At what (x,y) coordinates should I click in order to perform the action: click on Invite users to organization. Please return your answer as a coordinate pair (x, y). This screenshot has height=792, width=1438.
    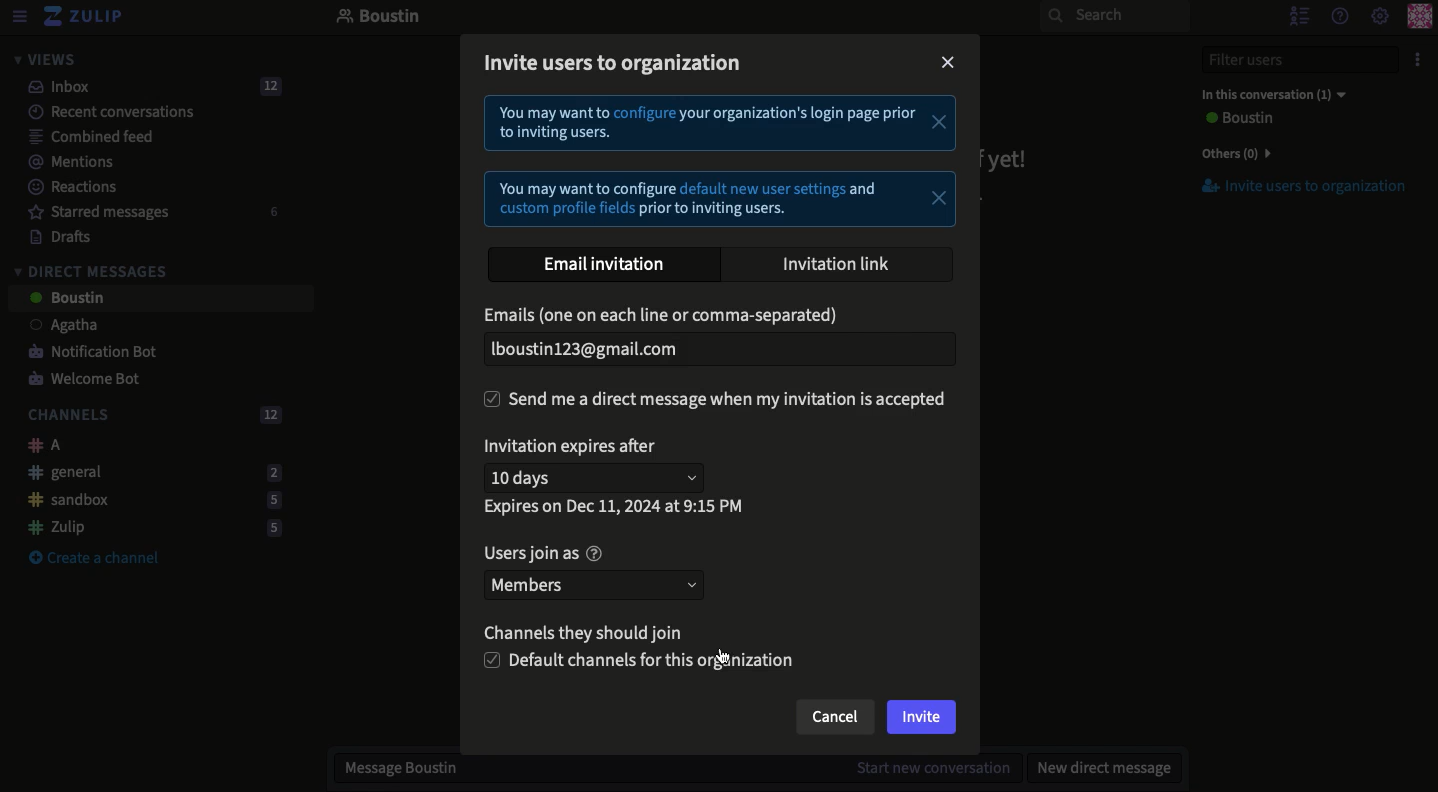
    Looking at the image, I should click on (615, 63).